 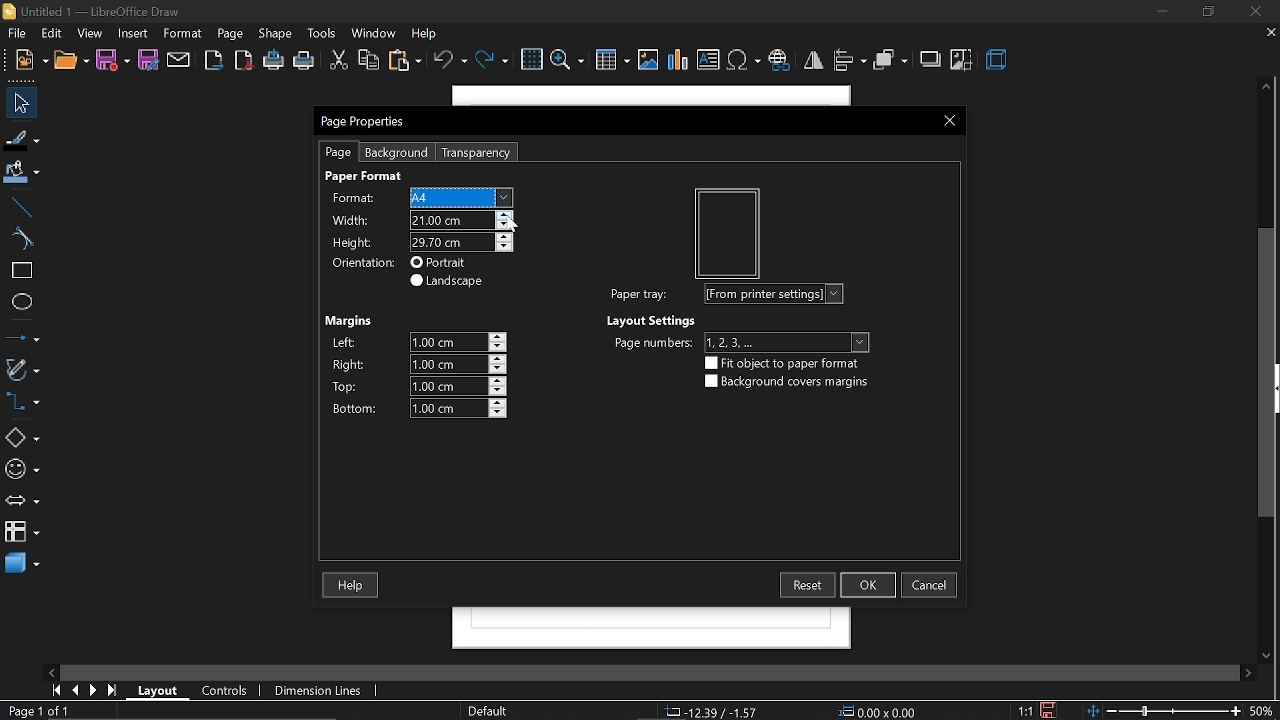 What do you see at coordinates (243, 62) in the screenshot?
I see `export as pdf` at bounding box center [243, 62].